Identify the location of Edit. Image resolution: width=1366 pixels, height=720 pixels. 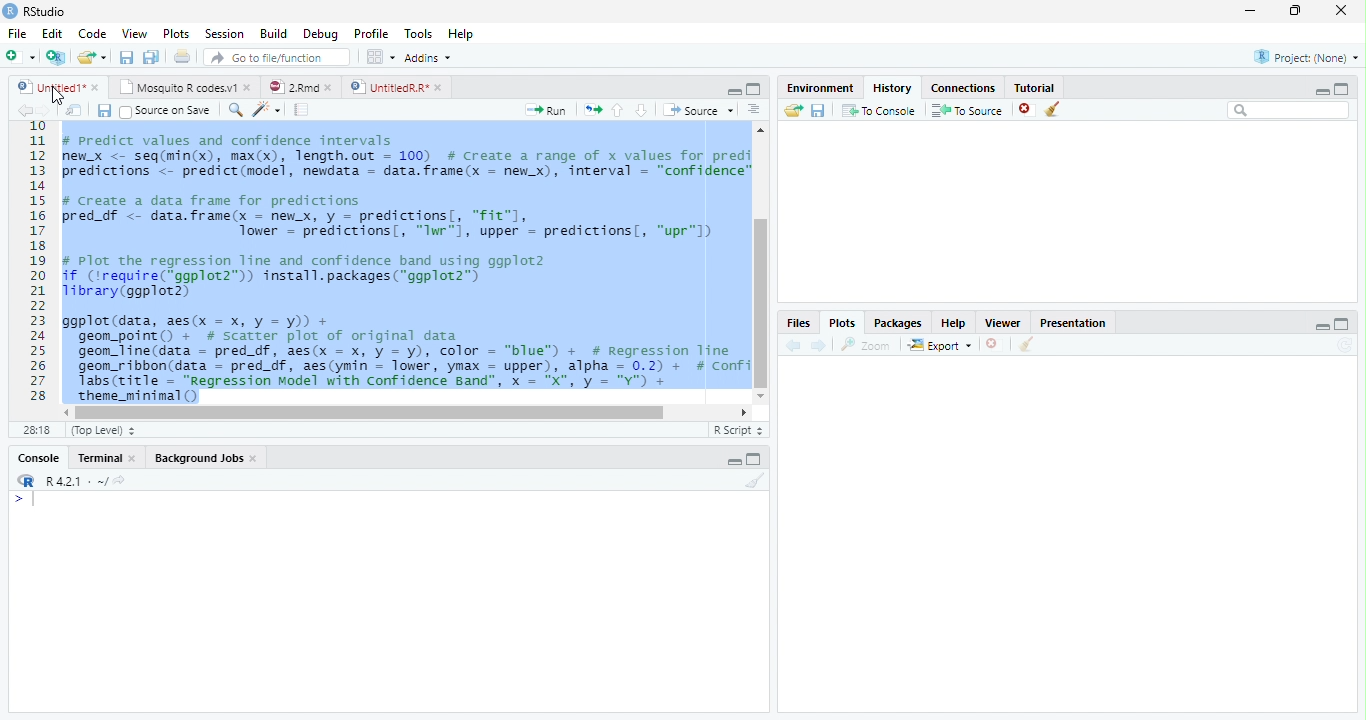
(54, 33).